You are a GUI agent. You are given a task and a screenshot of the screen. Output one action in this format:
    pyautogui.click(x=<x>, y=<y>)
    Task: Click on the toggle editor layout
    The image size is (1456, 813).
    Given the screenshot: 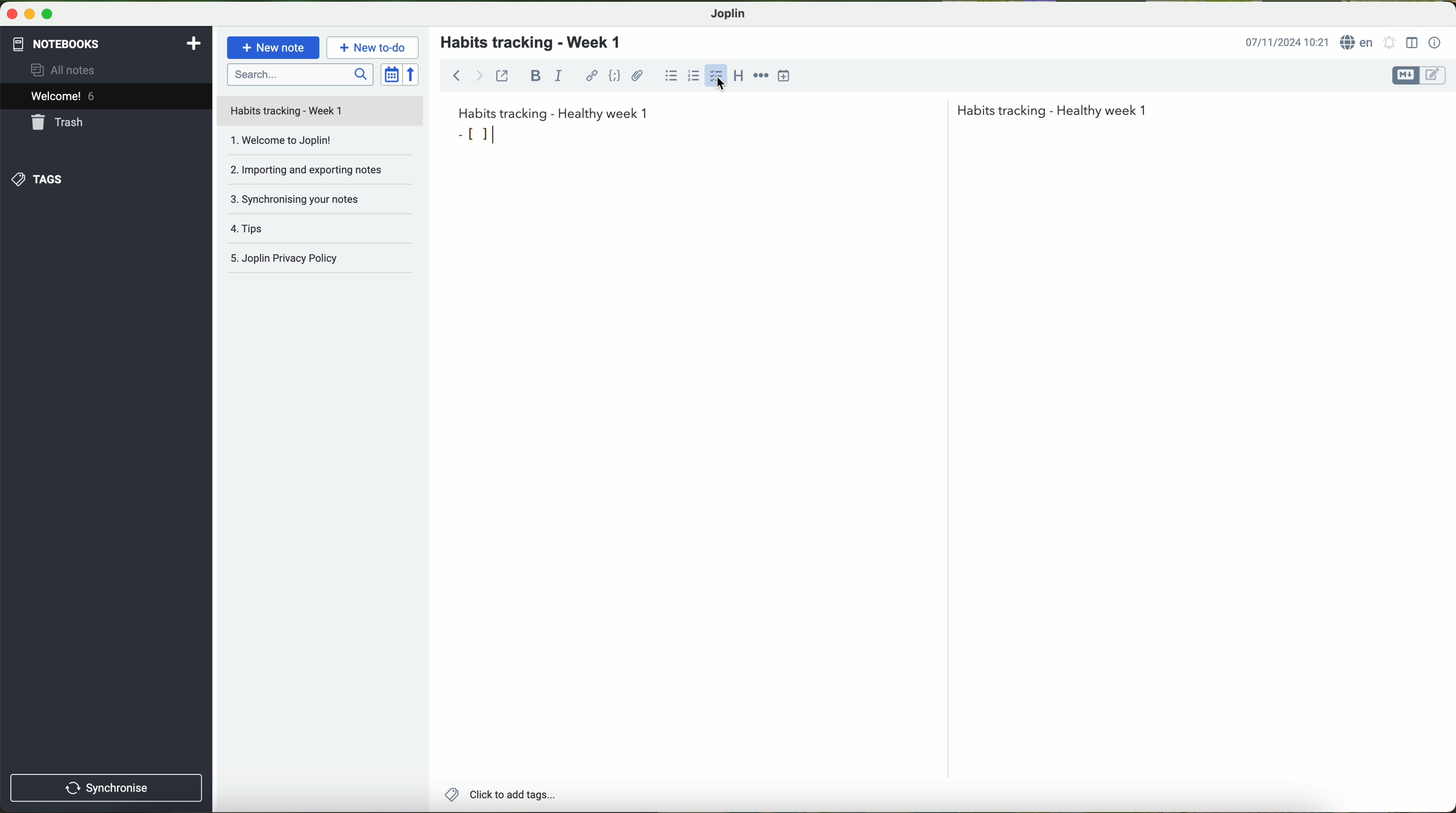 What is the action you would take?
    pyautogui.click(x=1412, y=43)
    